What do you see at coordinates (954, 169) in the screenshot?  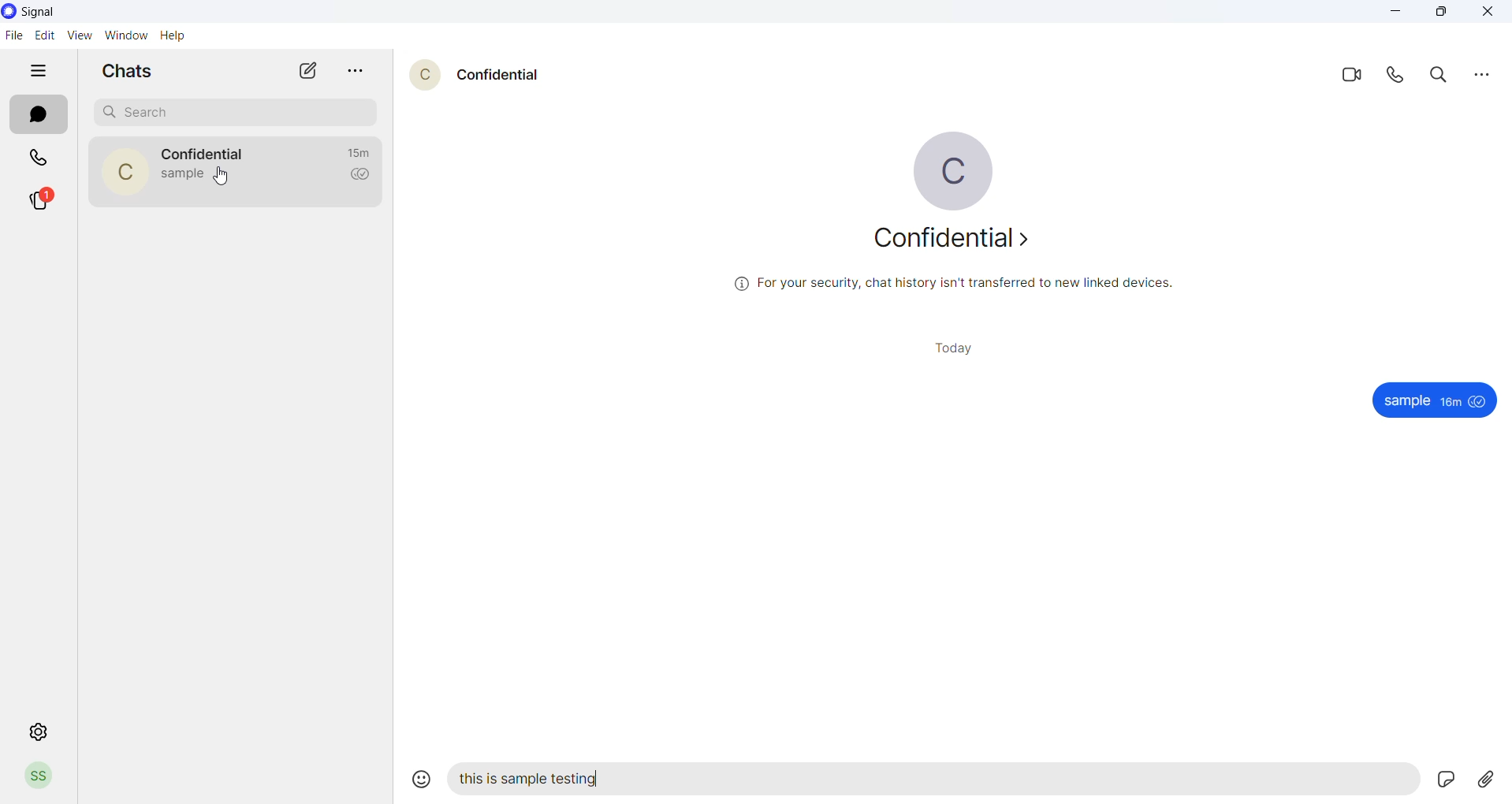 I see `C` at bounding box center [954, 169].